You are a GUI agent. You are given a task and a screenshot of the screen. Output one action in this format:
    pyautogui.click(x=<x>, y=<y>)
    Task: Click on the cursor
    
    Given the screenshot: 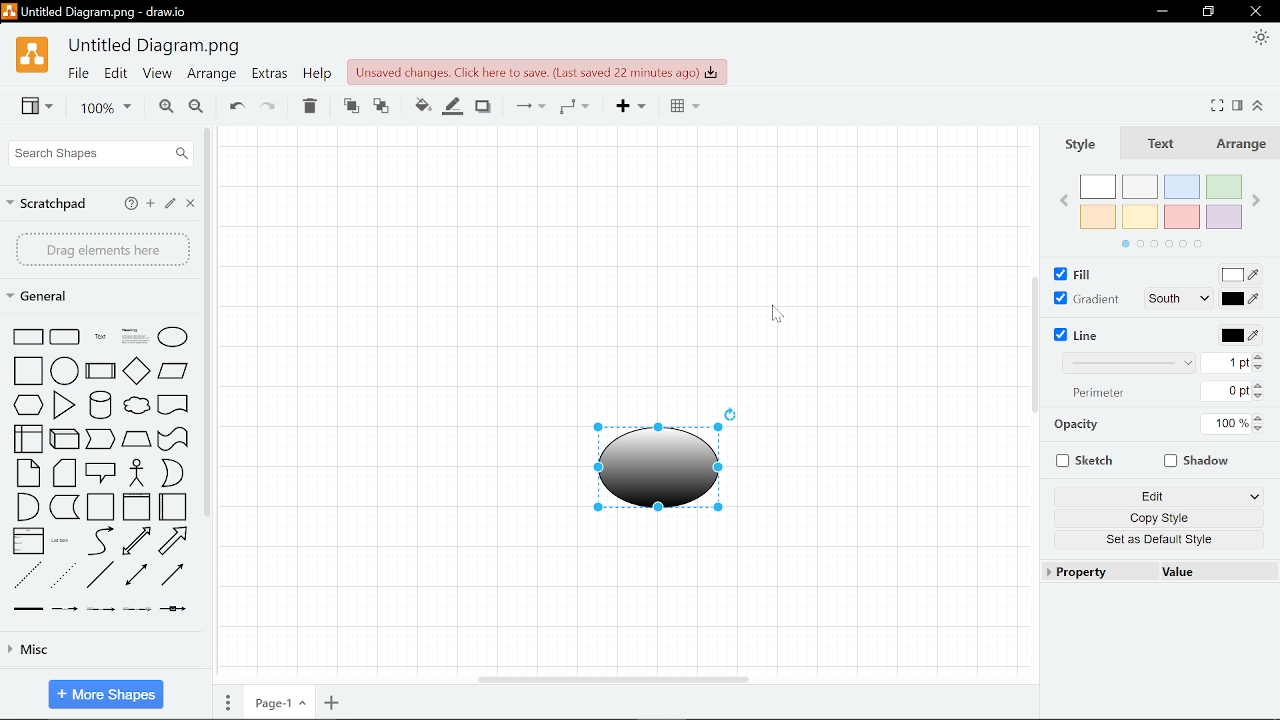 What is the action you would take?
    pyautogui.click(x=782, y=314)
    